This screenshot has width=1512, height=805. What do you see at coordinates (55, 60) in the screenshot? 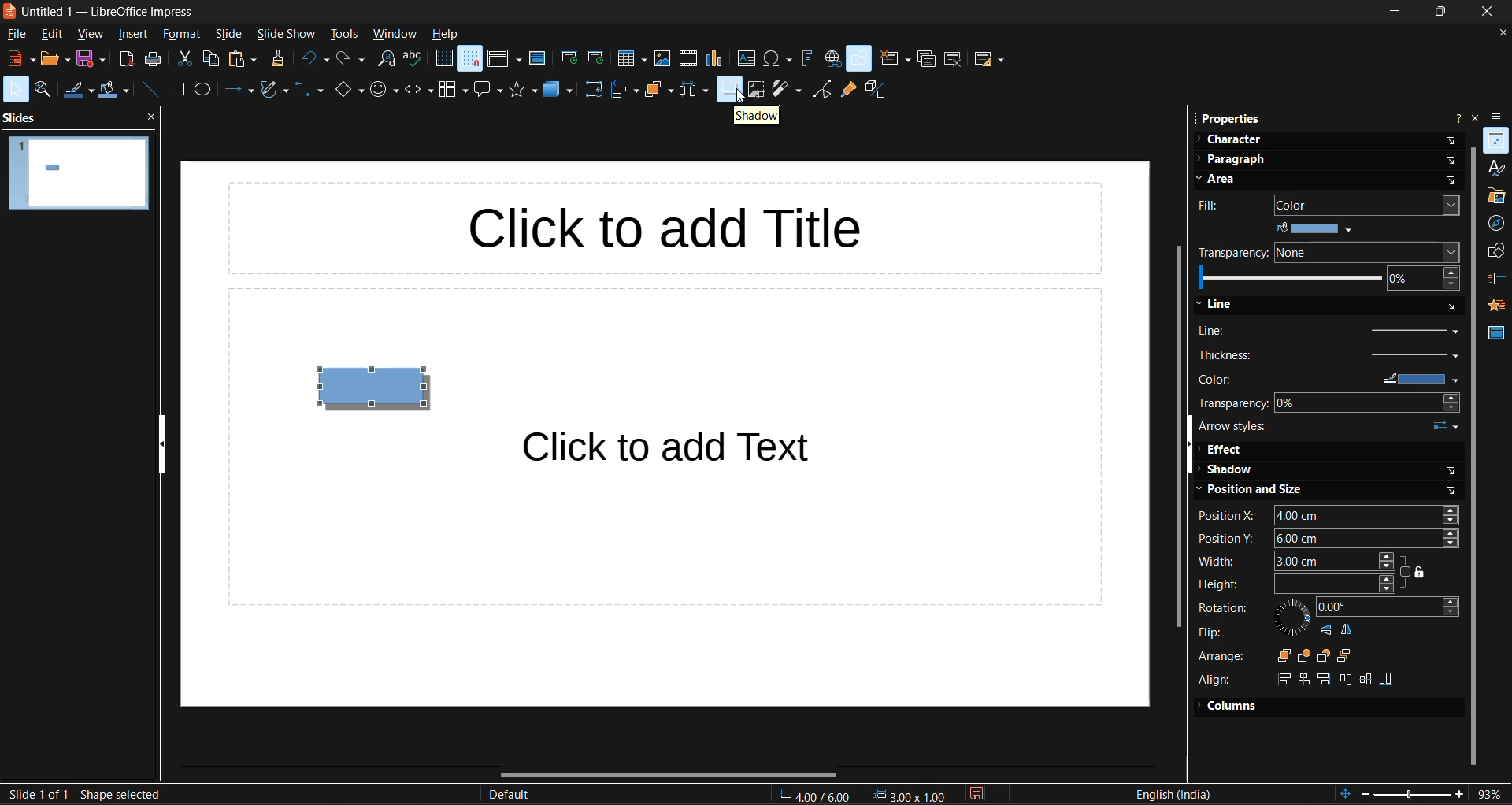
I see `opne` at bounding box center [55, 60].